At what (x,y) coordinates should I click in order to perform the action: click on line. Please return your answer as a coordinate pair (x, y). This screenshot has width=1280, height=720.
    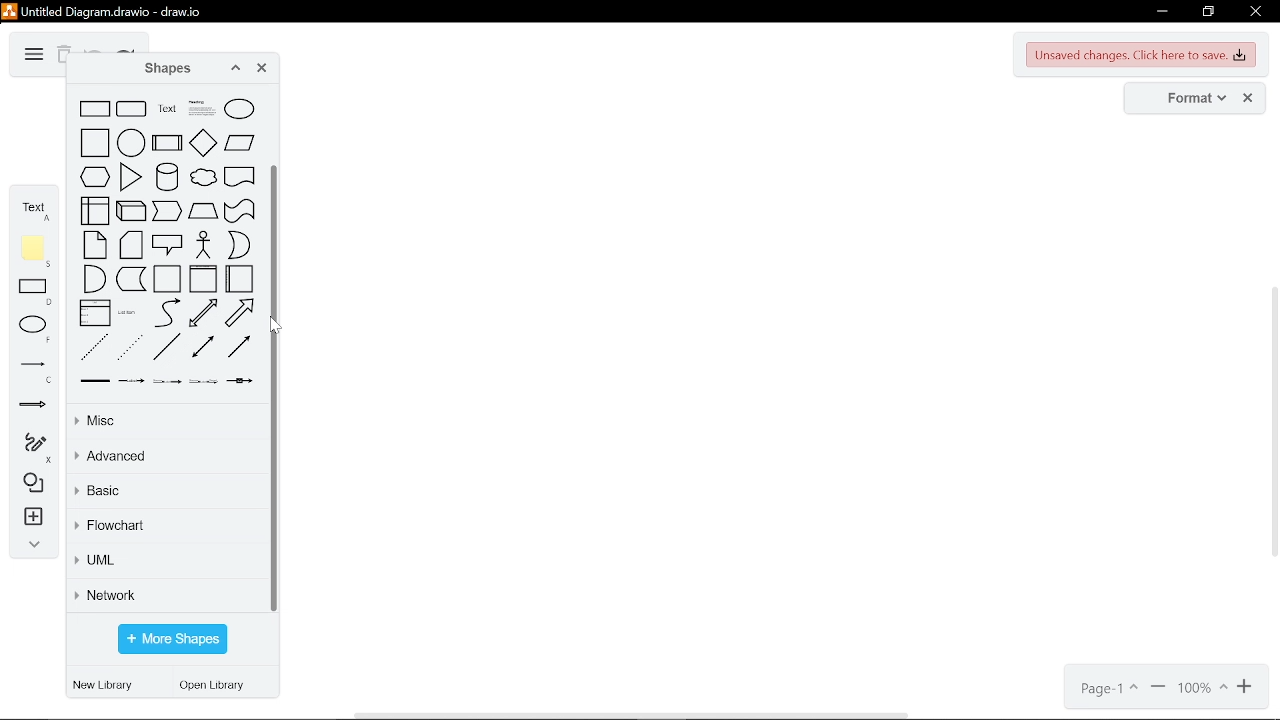
    Looking at the image, I should click on (165, 347).